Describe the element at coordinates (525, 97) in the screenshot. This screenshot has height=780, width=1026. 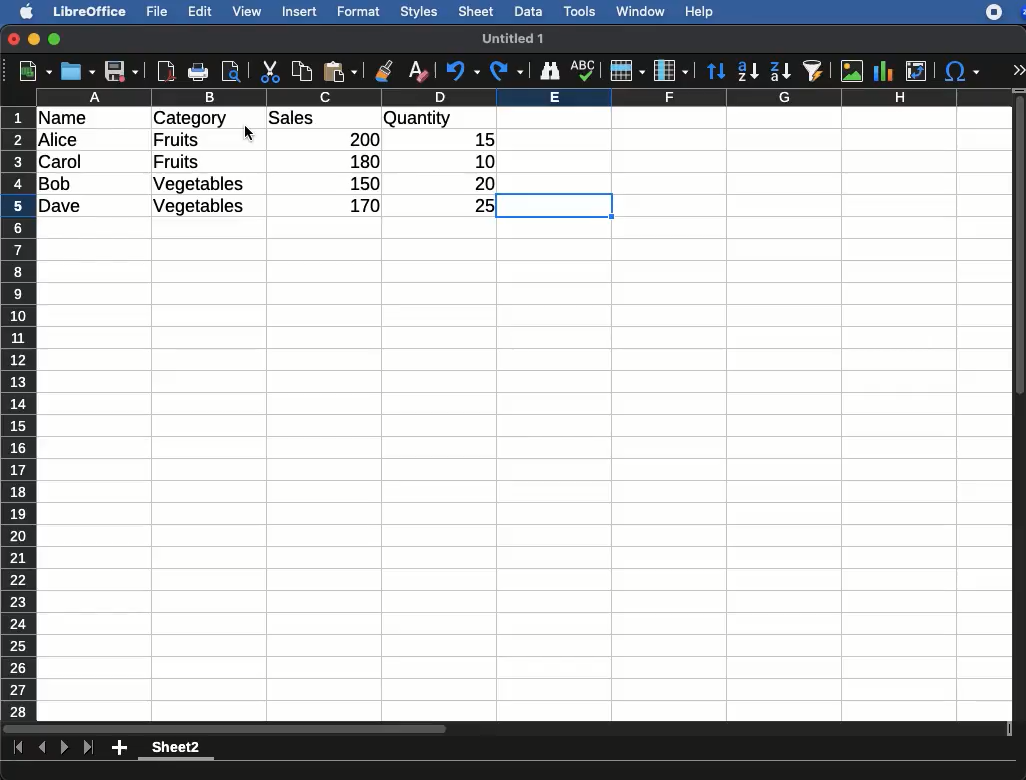
I see `column` at that location.